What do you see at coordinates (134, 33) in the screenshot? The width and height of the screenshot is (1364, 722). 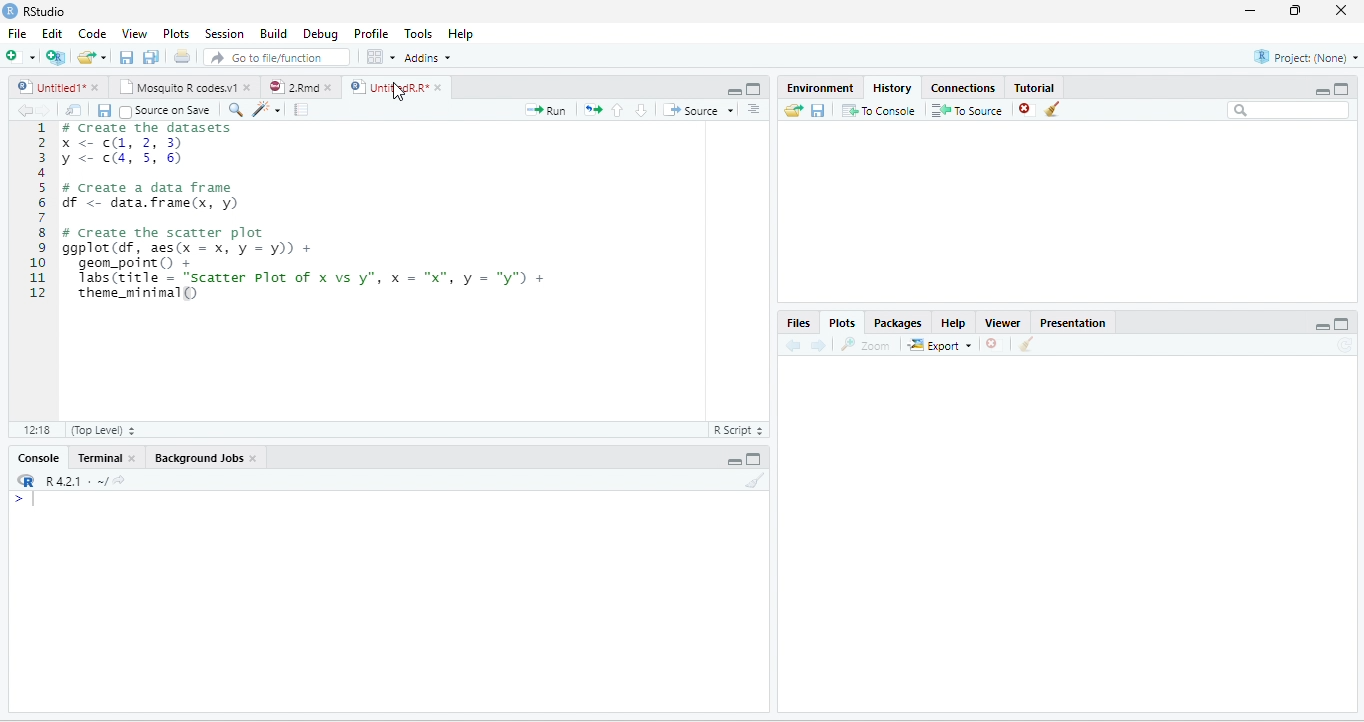 I see `View` at bounding box center [134, 33].